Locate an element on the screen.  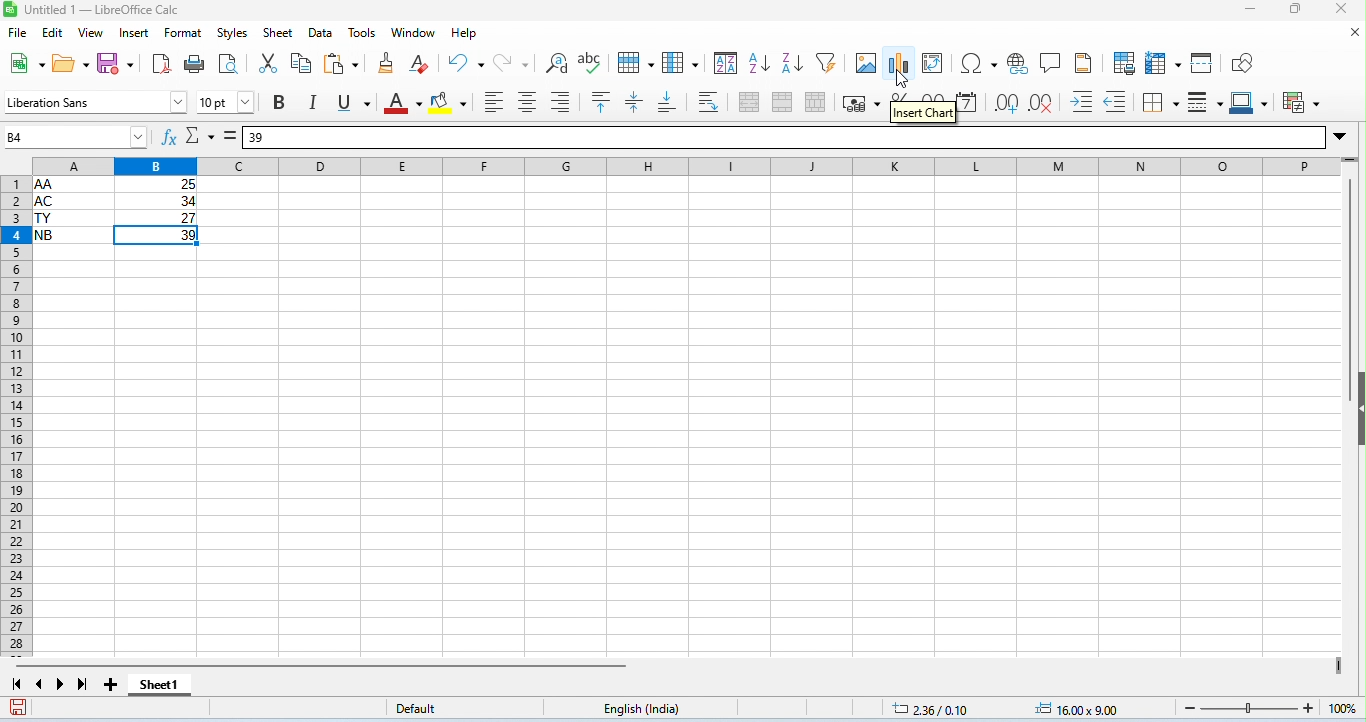
format as percent is located at coordinates (899, 107).